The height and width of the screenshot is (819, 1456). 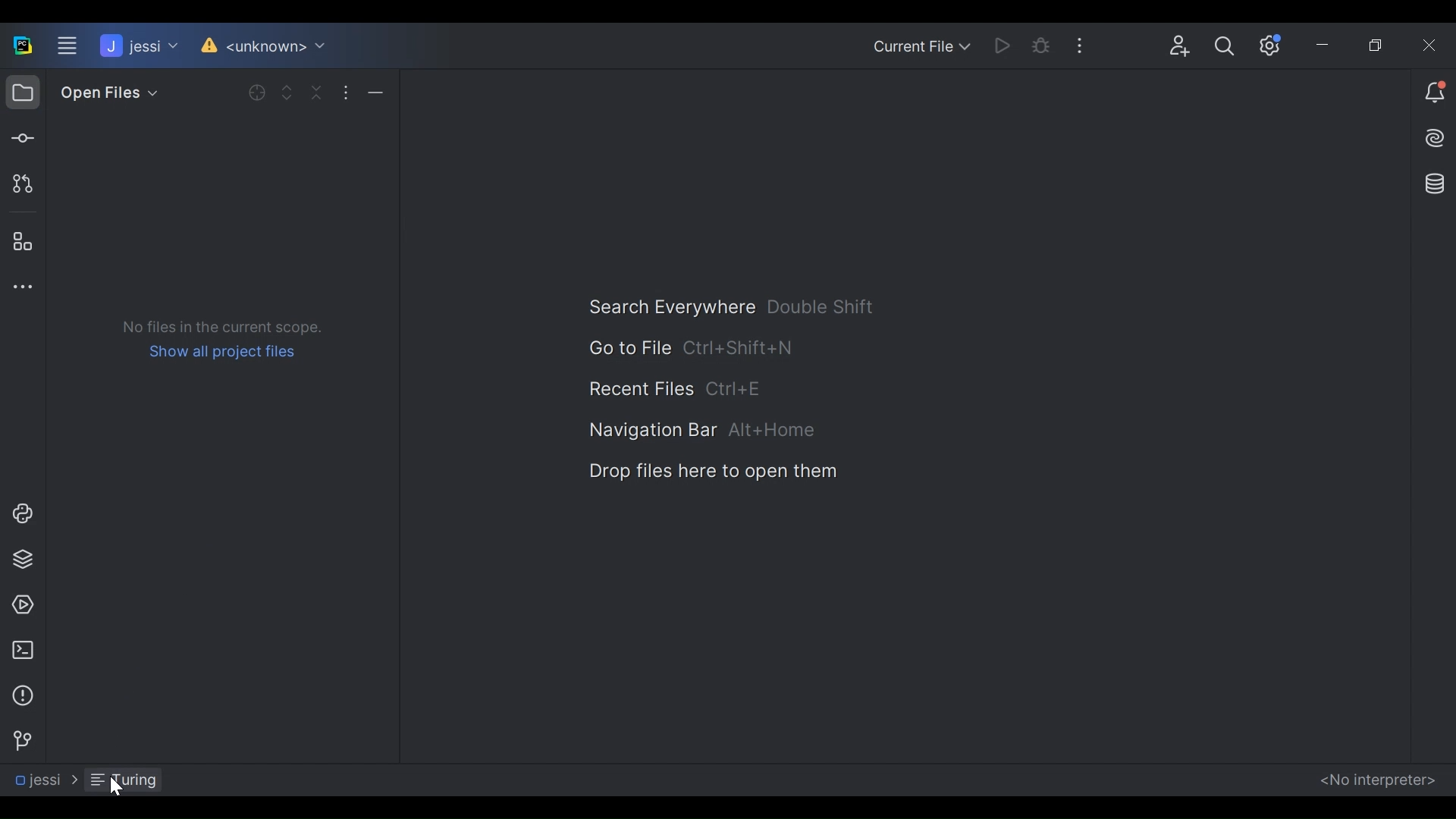 What do you see at coordinates (18, 741) in the screenshot?
I see `Version Control` at bounding box center [18, 741].